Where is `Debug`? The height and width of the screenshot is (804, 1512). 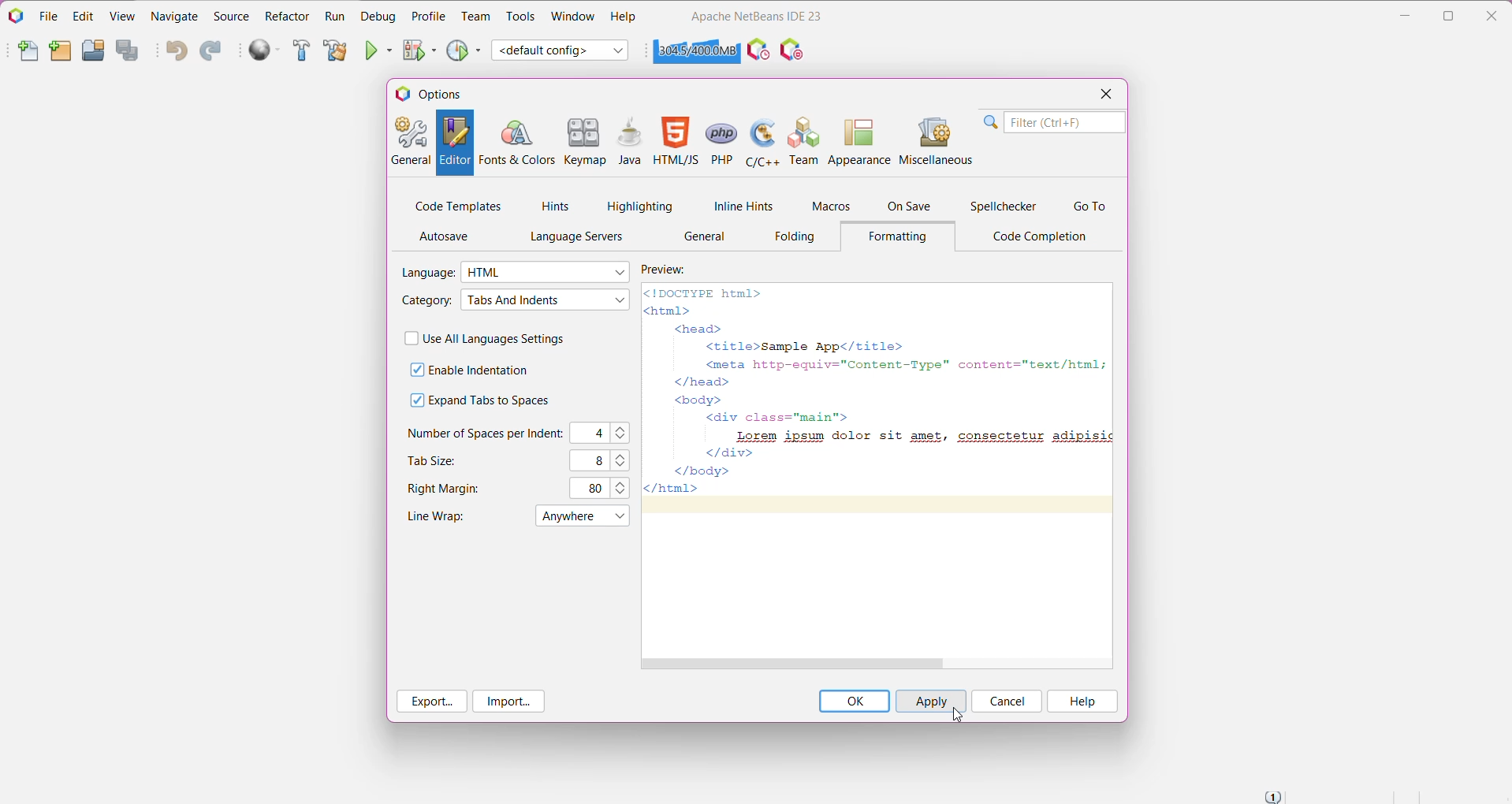
Debug is located at coordinates (377, 16).